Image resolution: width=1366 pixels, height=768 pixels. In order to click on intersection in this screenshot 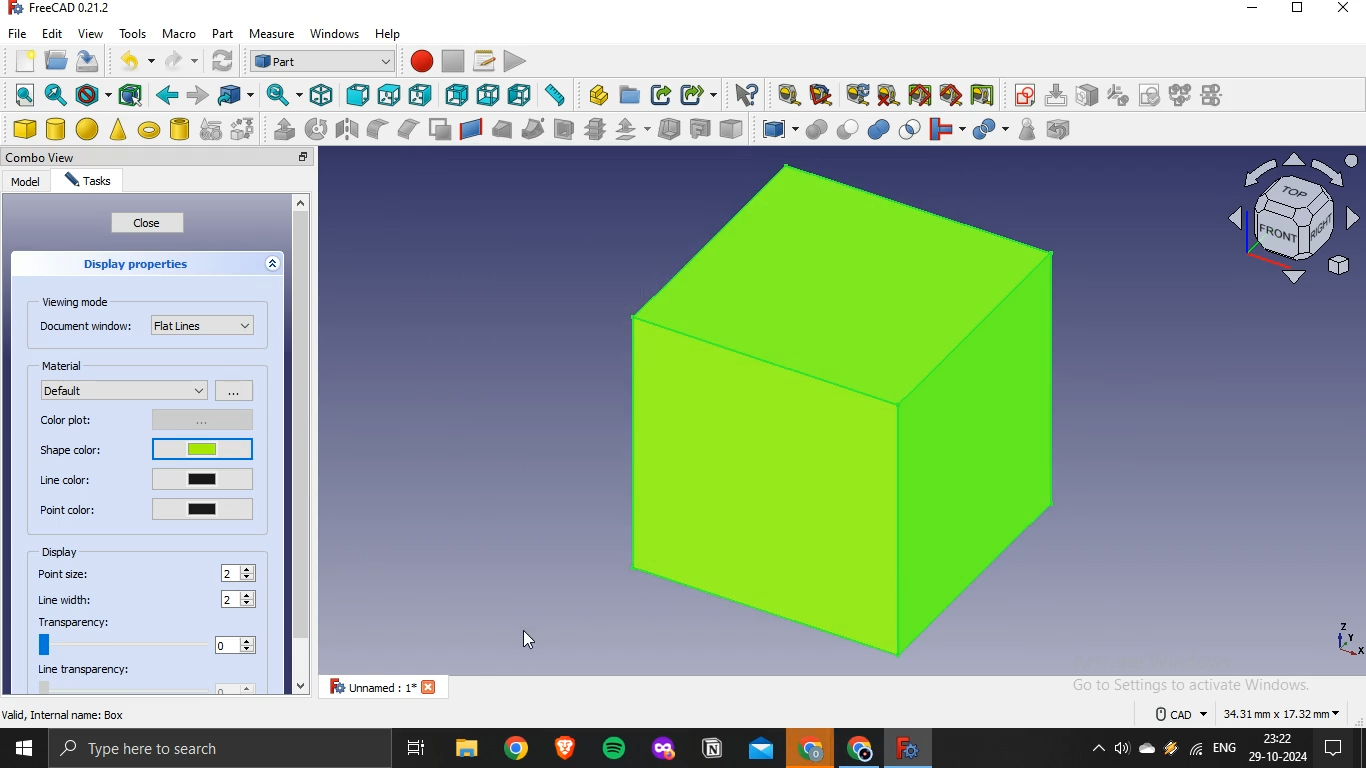, I will do `click(911, 127)`.